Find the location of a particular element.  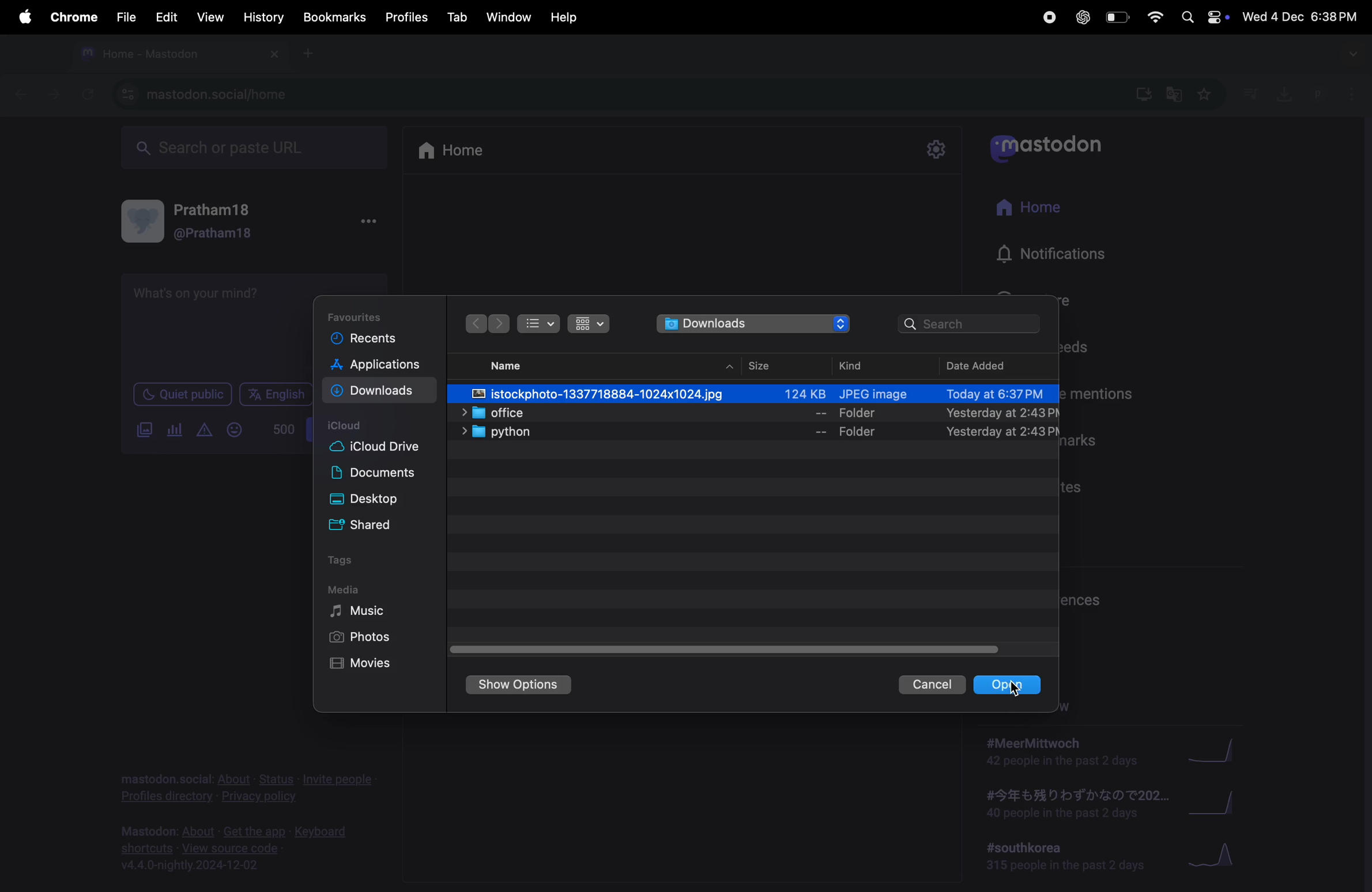

notification is located at coordinates (1061, 260).